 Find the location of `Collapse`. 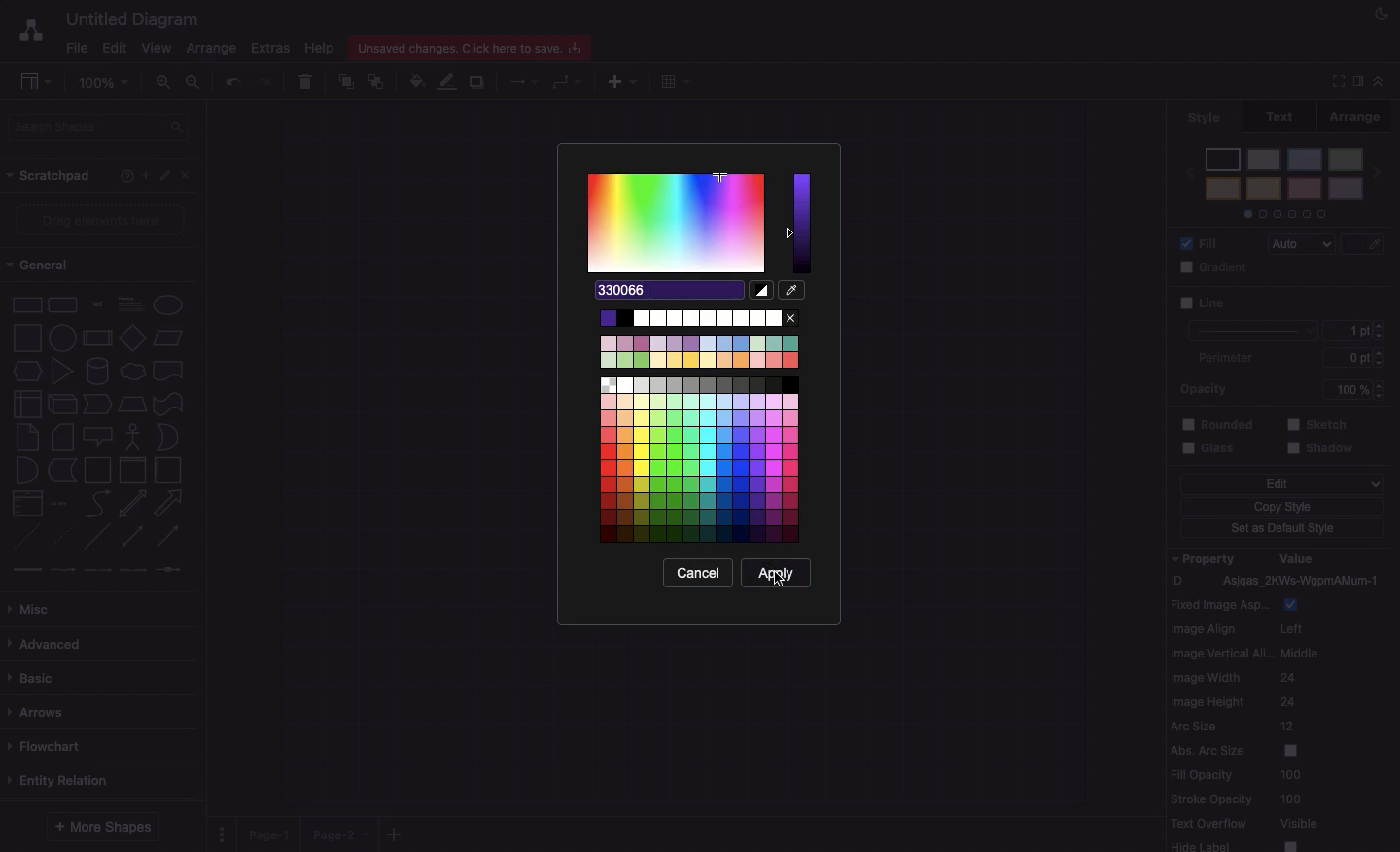

Collapse is located at coordinates (1379, 80).